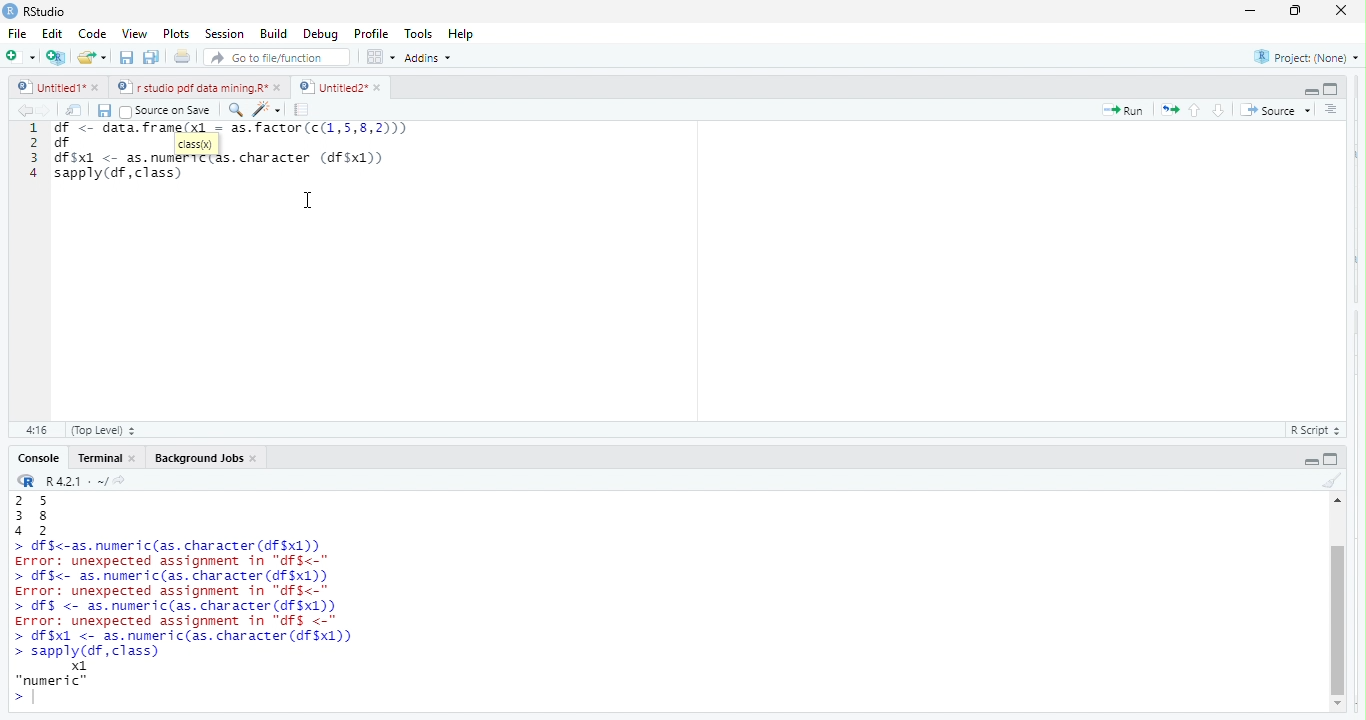  I want to click on Close, so click(1337, 11).